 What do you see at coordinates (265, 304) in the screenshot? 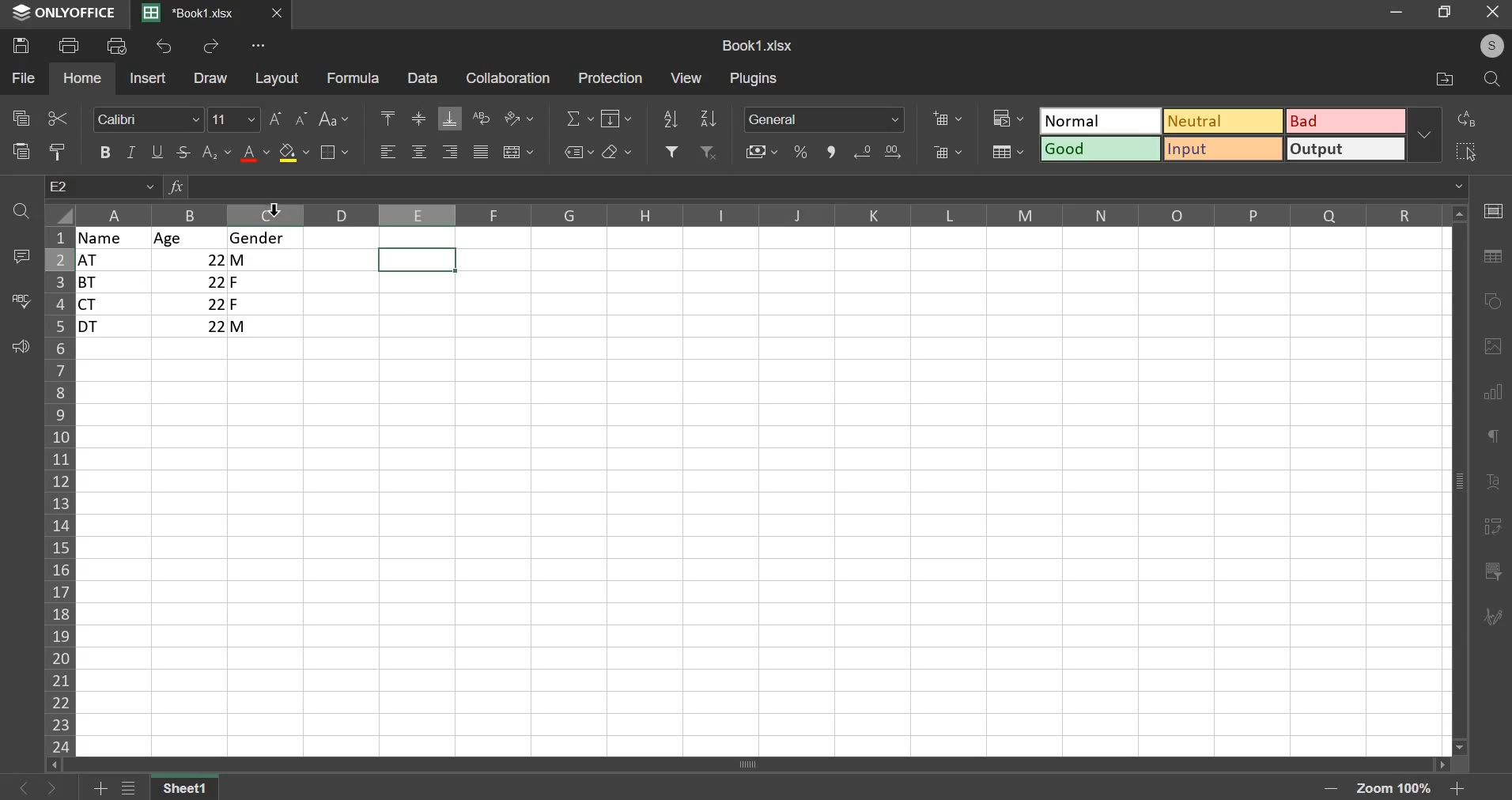
I see `f` at bounding box center [265, 304].